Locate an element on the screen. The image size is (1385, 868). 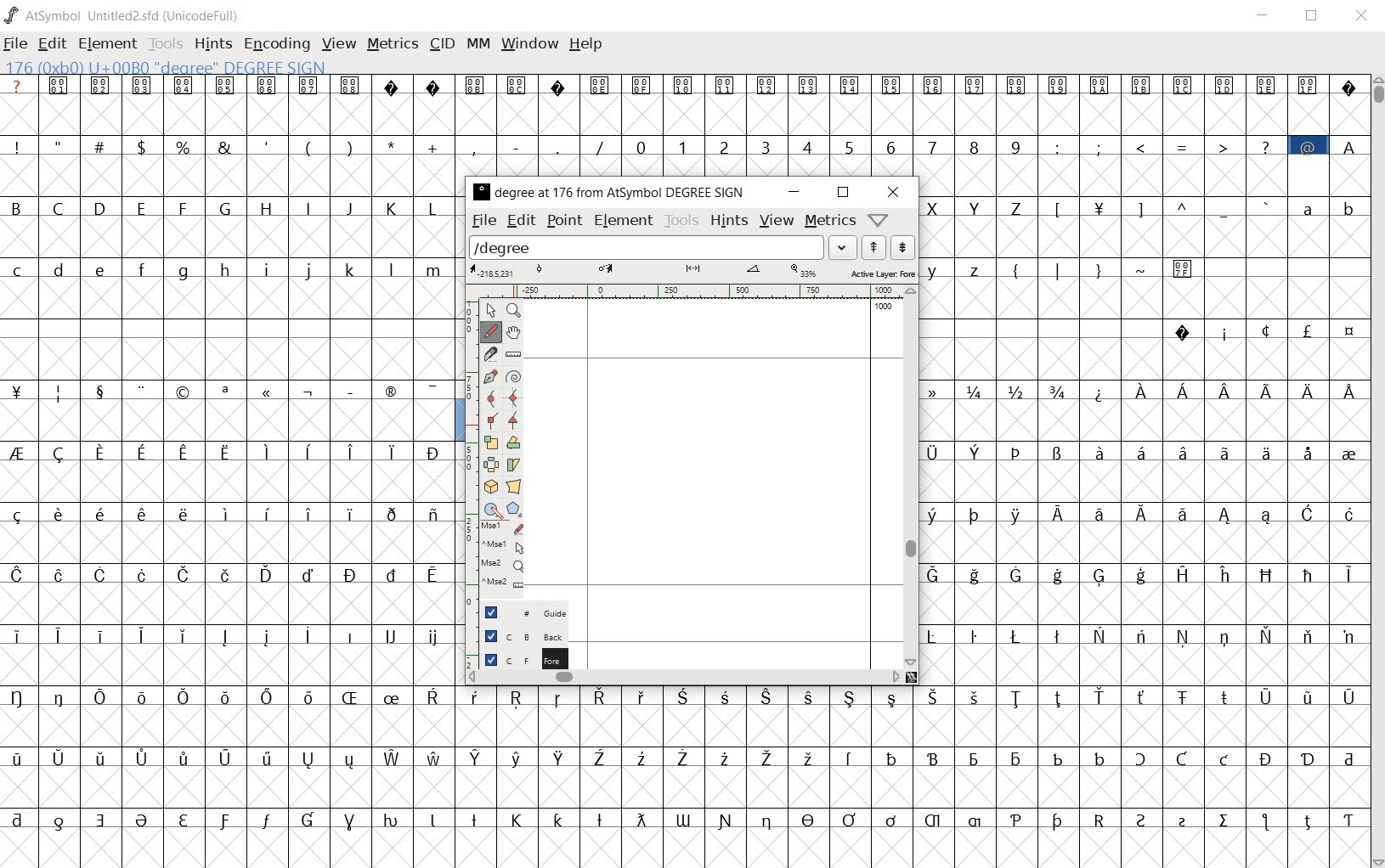
file is located at coordinates (484, 222).